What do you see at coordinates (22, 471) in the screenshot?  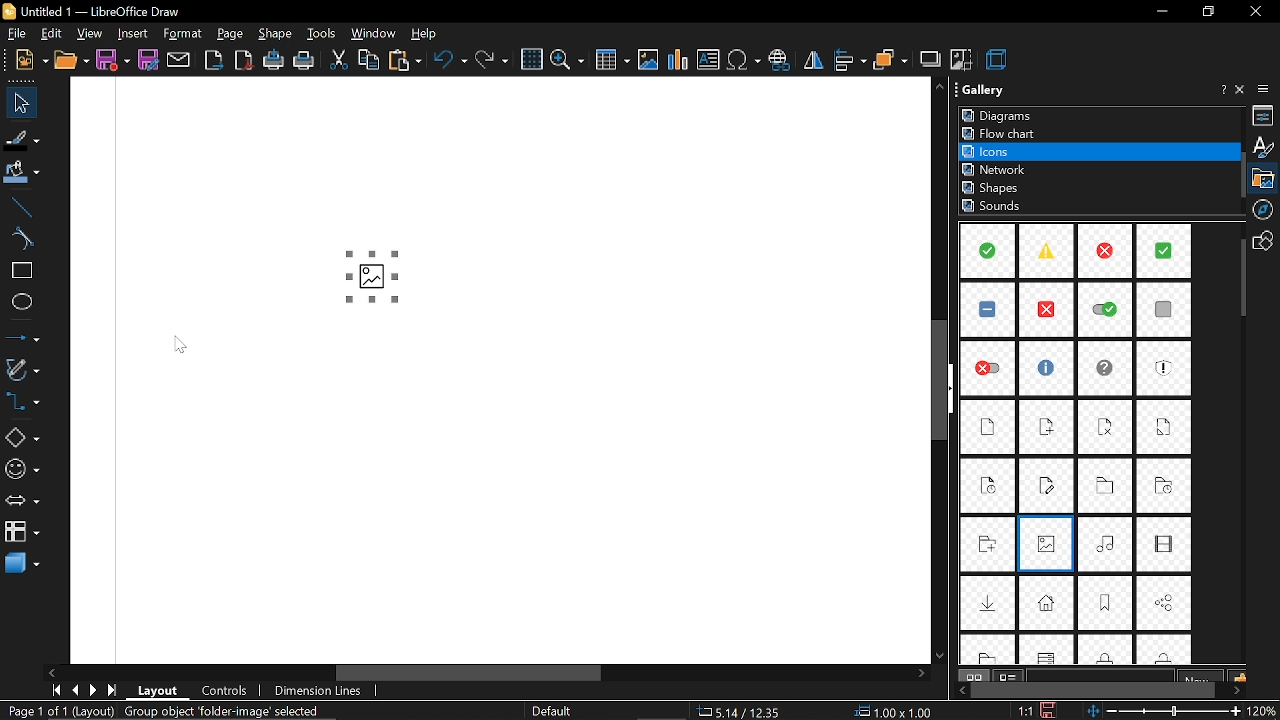 I see `symbol shapes` at bounding box center [22, 471].